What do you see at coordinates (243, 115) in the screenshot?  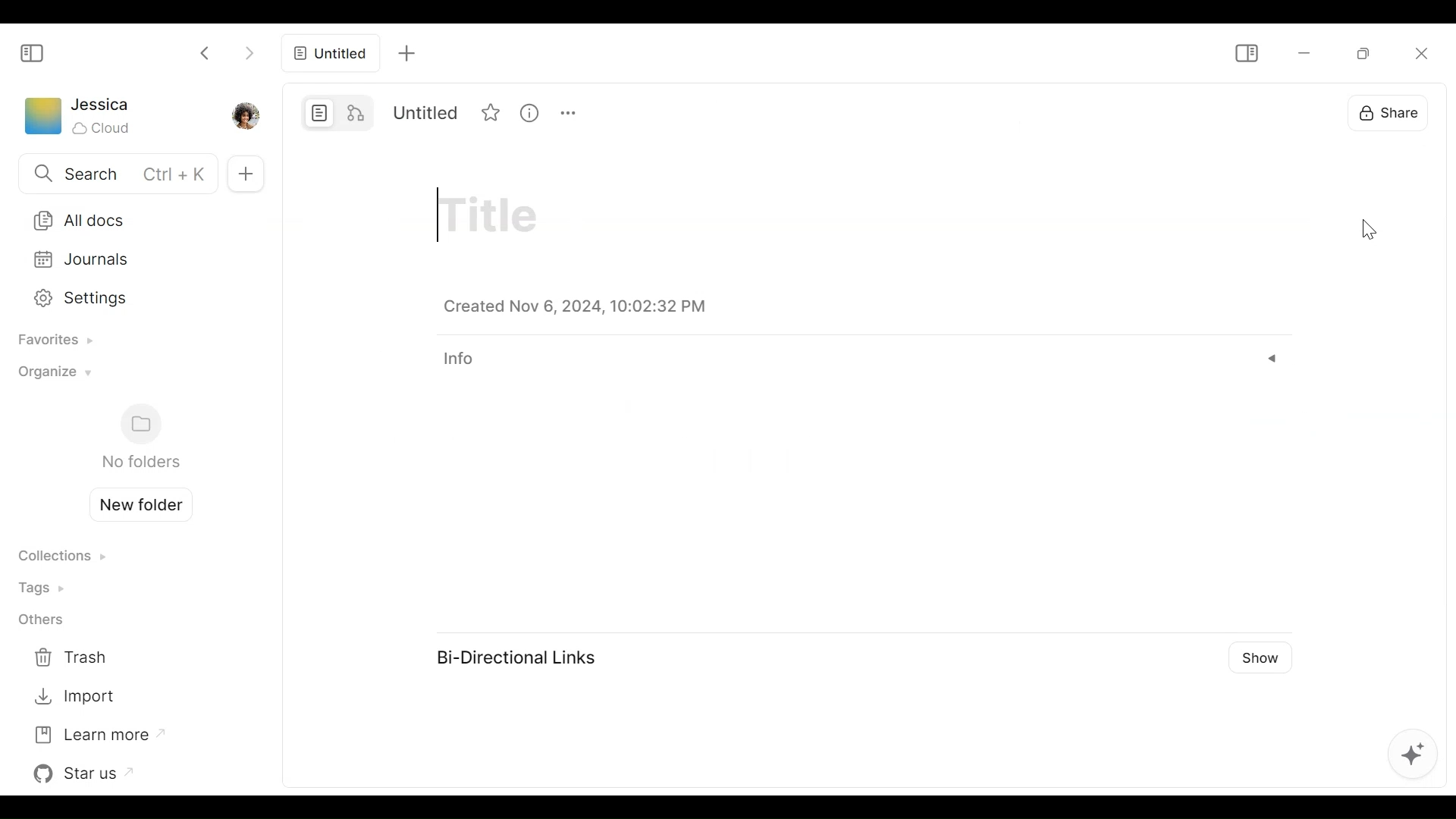 I see `Profile picture` at bounding box center [243, 115].